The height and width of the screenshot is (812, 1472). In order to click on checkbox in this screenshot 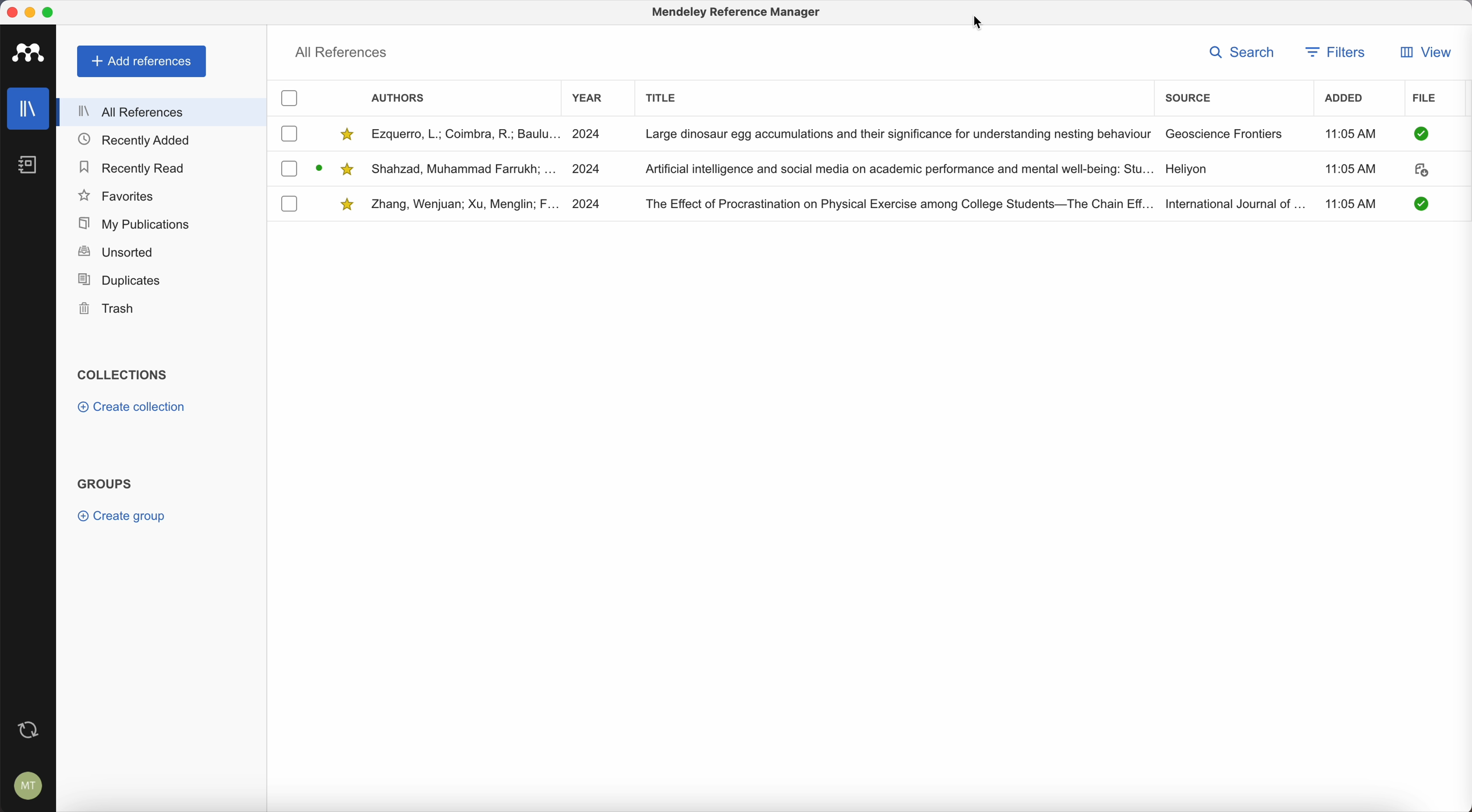, I will do `click(289, 99)`.